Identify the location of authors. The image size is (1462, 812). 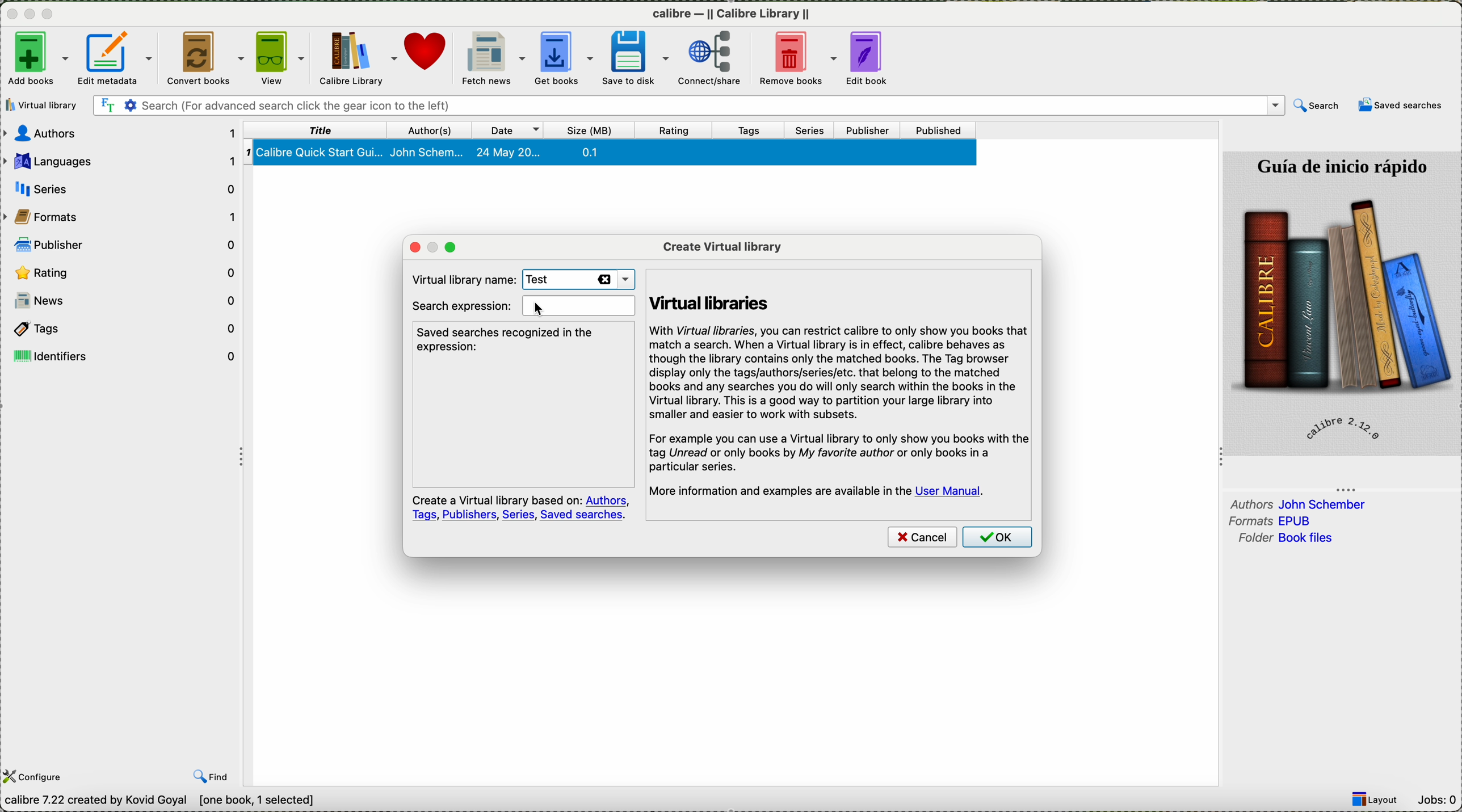
(1299, 503).